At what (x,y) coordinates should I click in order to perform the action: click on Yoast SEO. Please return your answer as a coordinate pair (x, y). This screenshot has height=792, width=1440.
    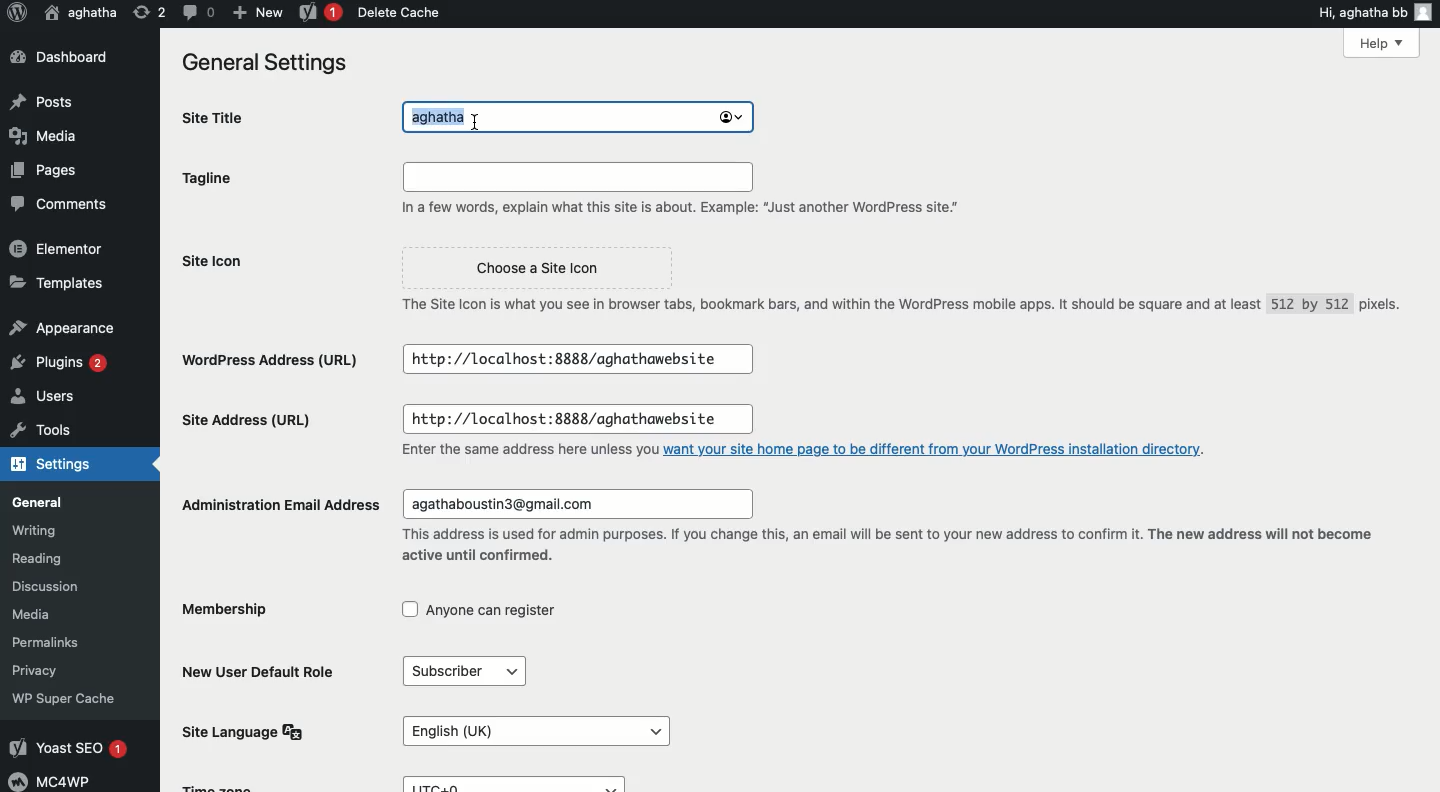
    Looking at the image, I should click on (69, 748).